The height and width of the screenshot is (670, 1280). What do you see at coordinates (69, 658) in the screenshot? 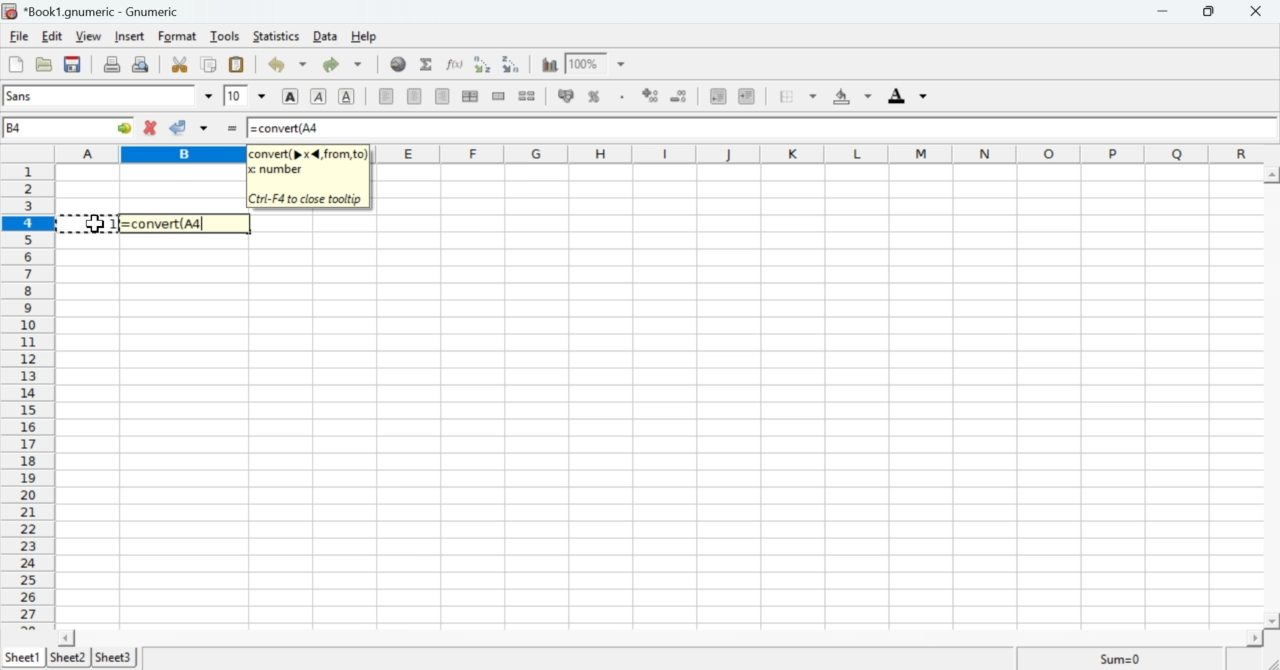
I see `Sheet 2` at bounding box center [69, 658].